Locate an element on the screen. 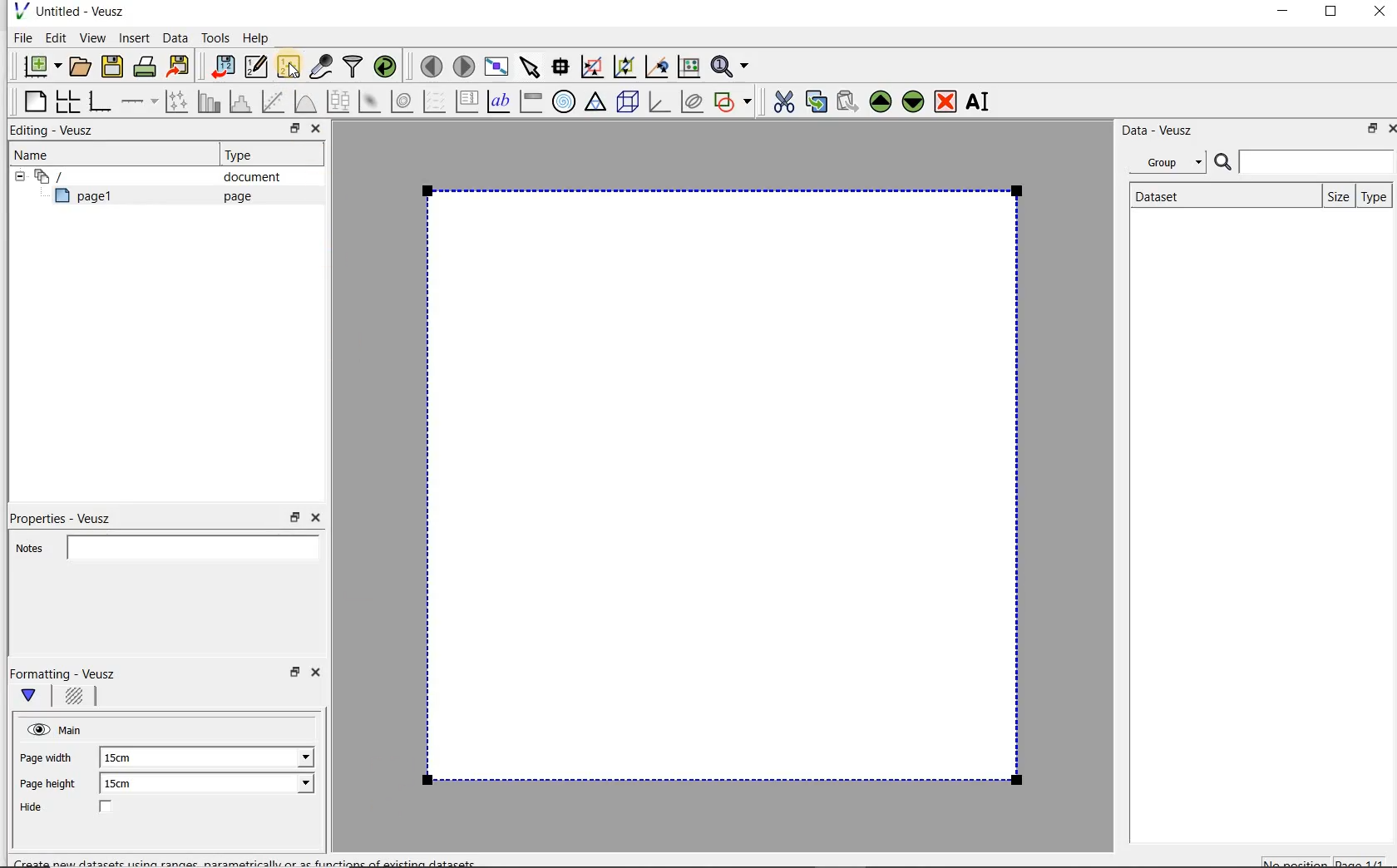 Image resolution: width=1397 pixels, height=868 pixels. page1/1 is located at coordinates (1366, 861).